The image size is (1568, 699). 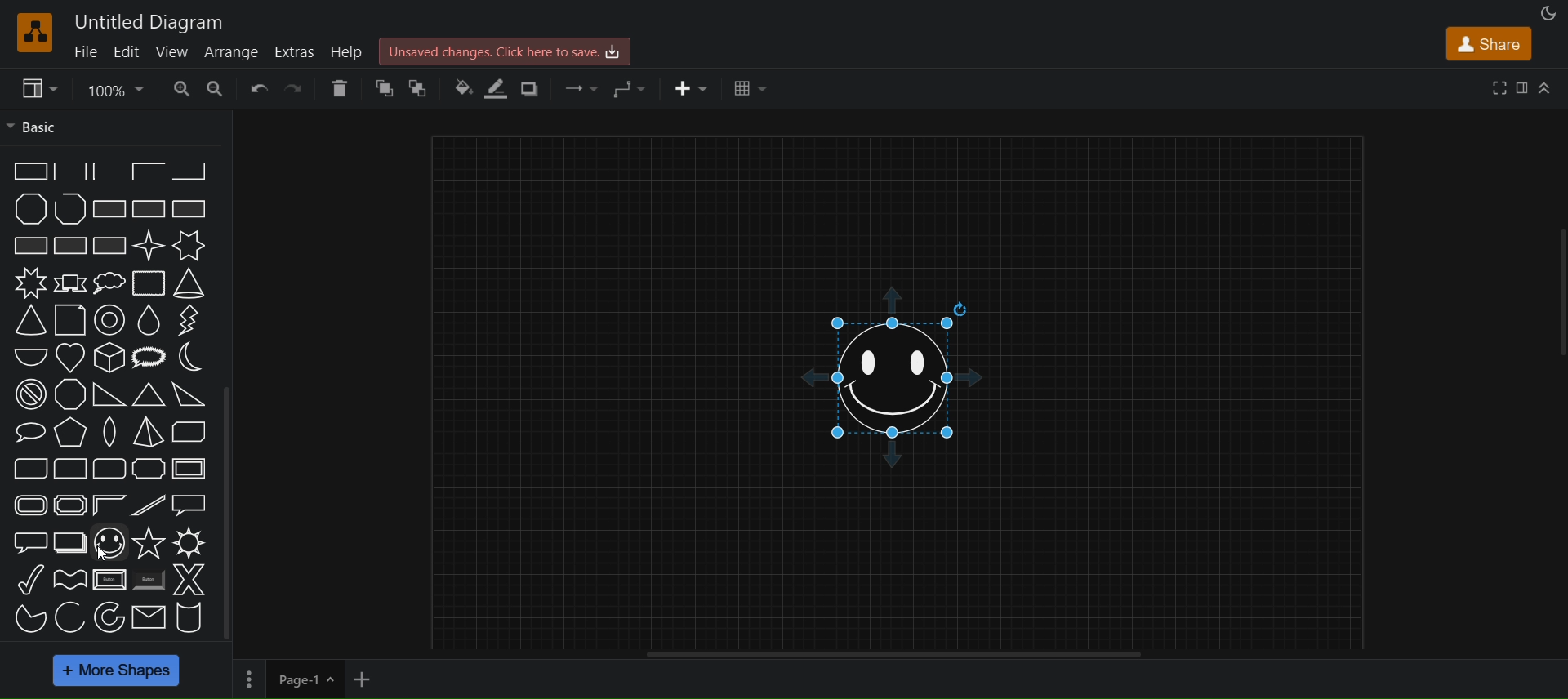 What do you see at coordinates (171, 51) in the screenshot?
I see `view` at bounding box center [171, 51].